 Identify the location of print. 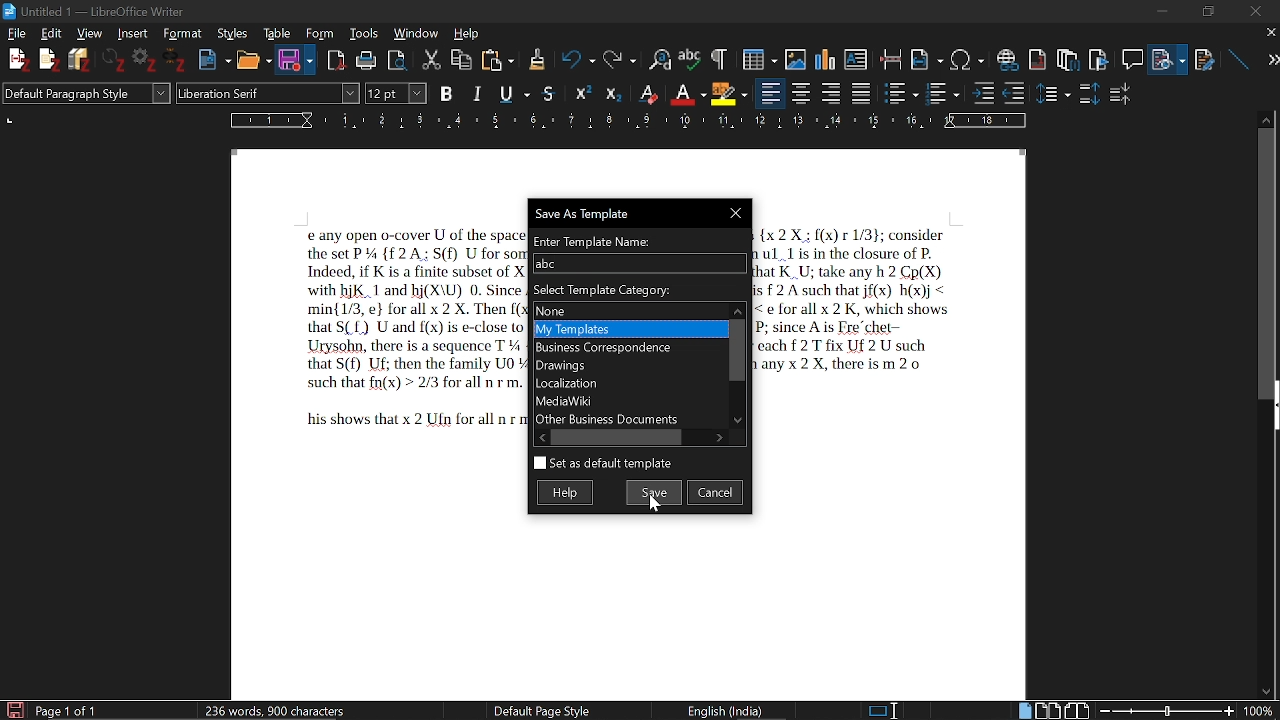
(366, 59).